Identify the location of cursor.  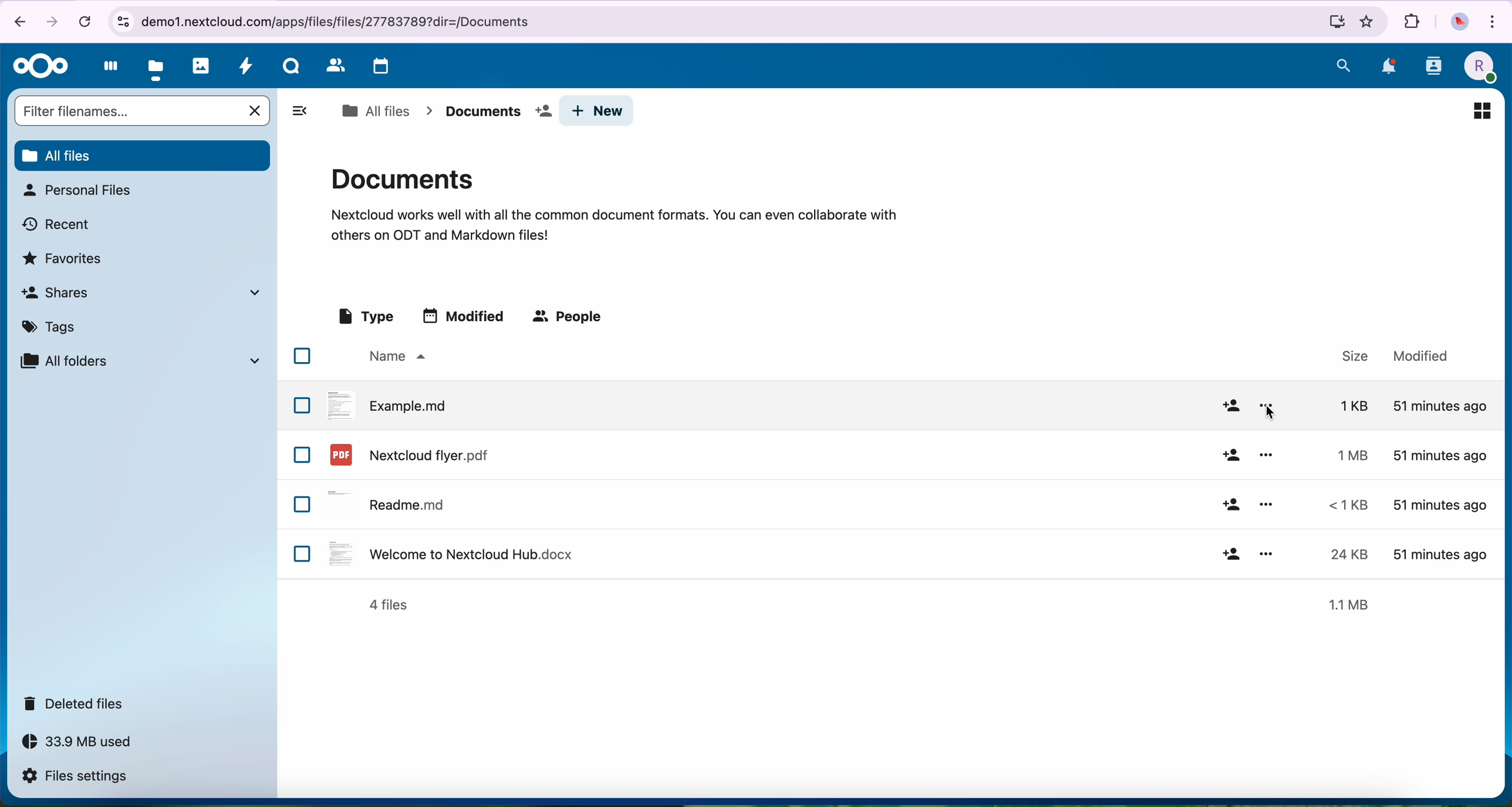
(1270, 413).